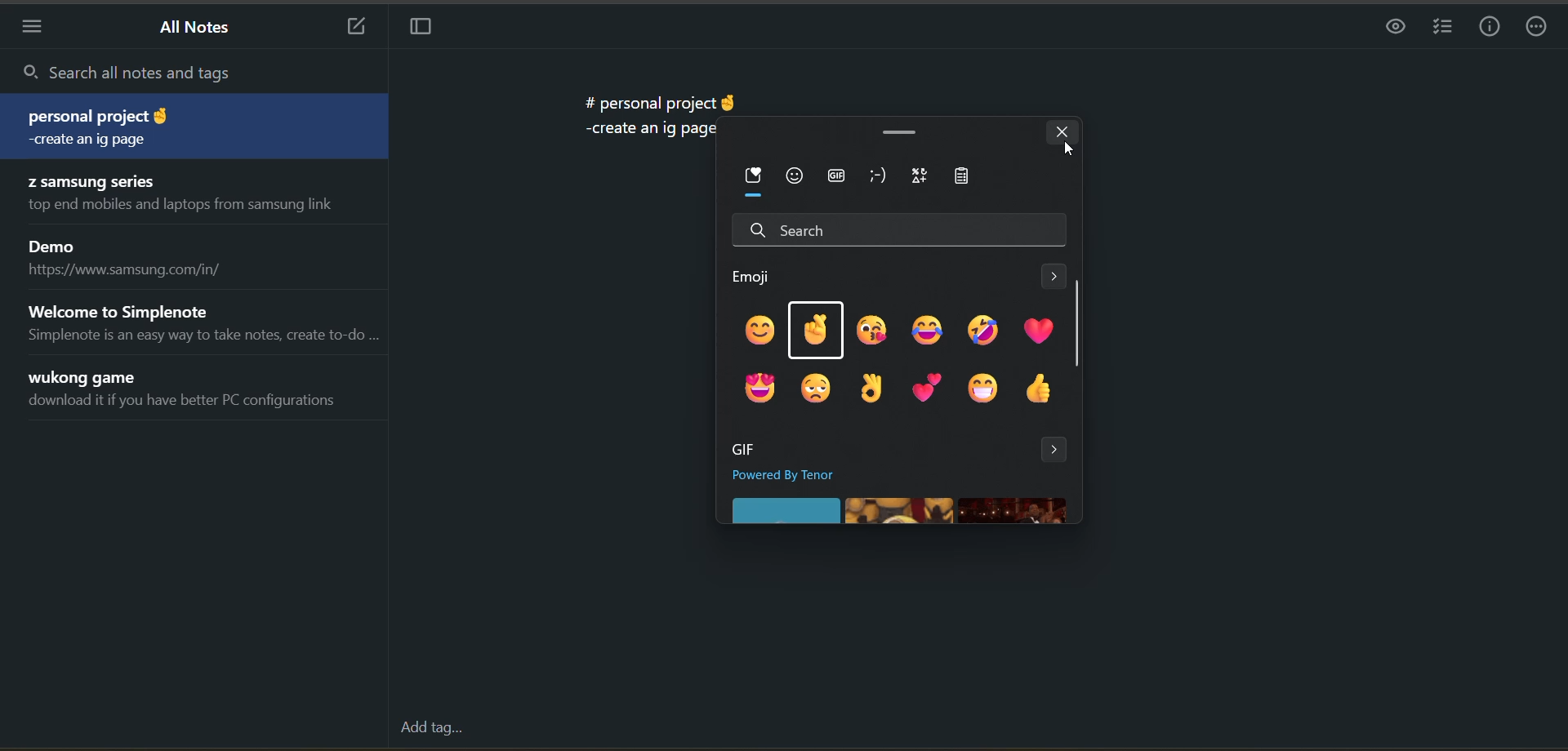  Describe the element at coordinates (986, 329) in the screenshot. I see `emoji 5` at that location.